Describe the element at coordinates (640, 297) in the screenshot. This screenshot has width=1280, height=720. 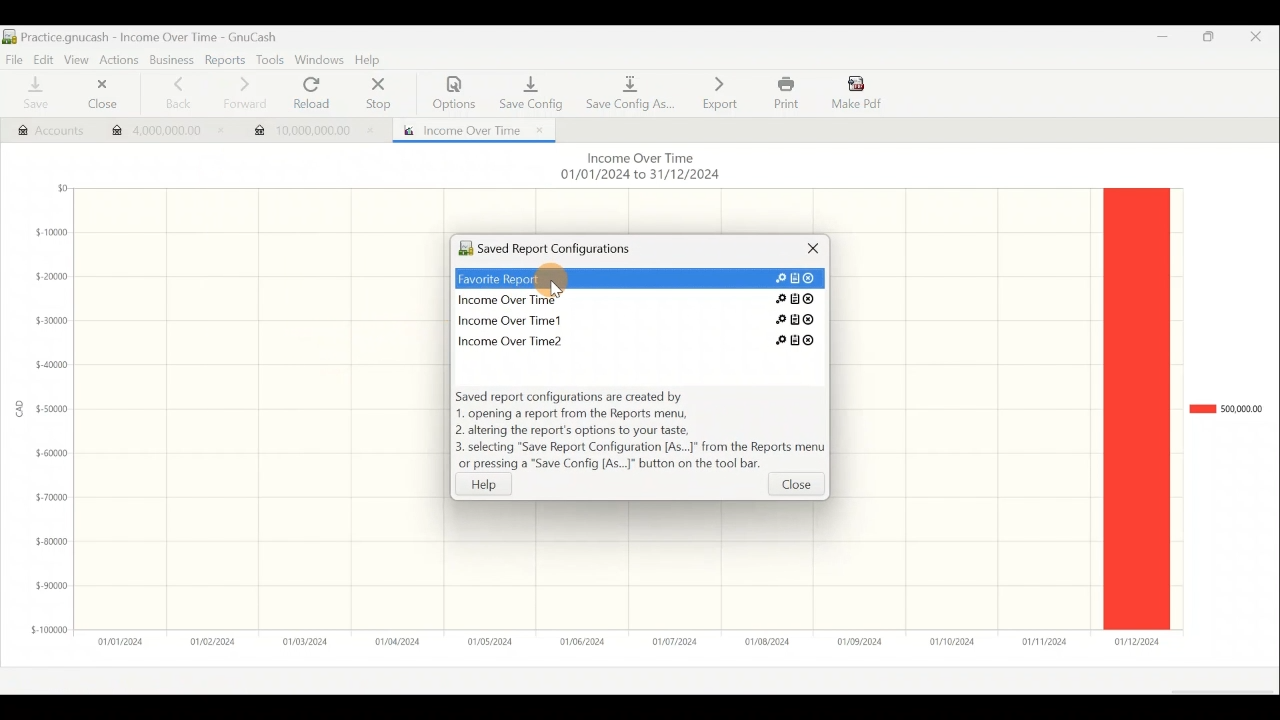
I see `Saved report 2` at that location.